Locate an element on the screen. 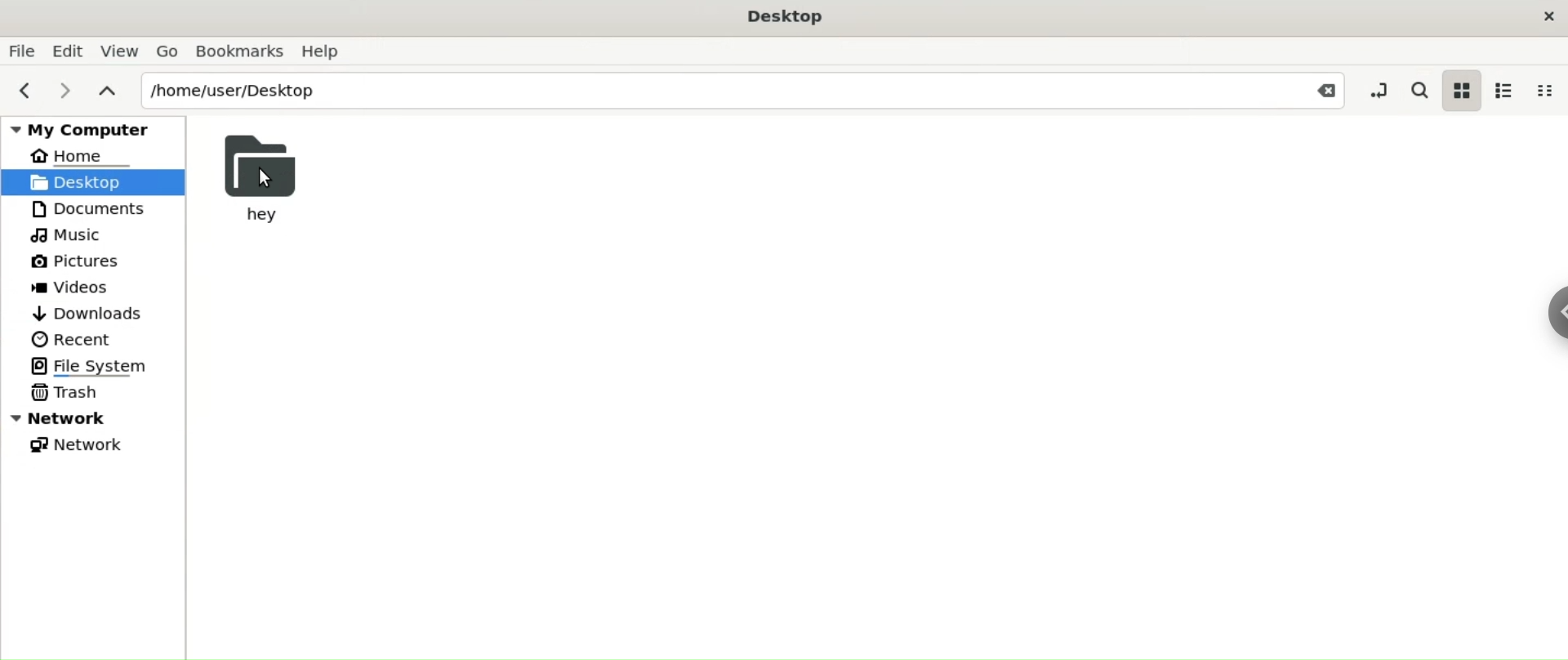 The height and width of the screenshot is (660, 1568). search is located at coordinates (1419, 91).